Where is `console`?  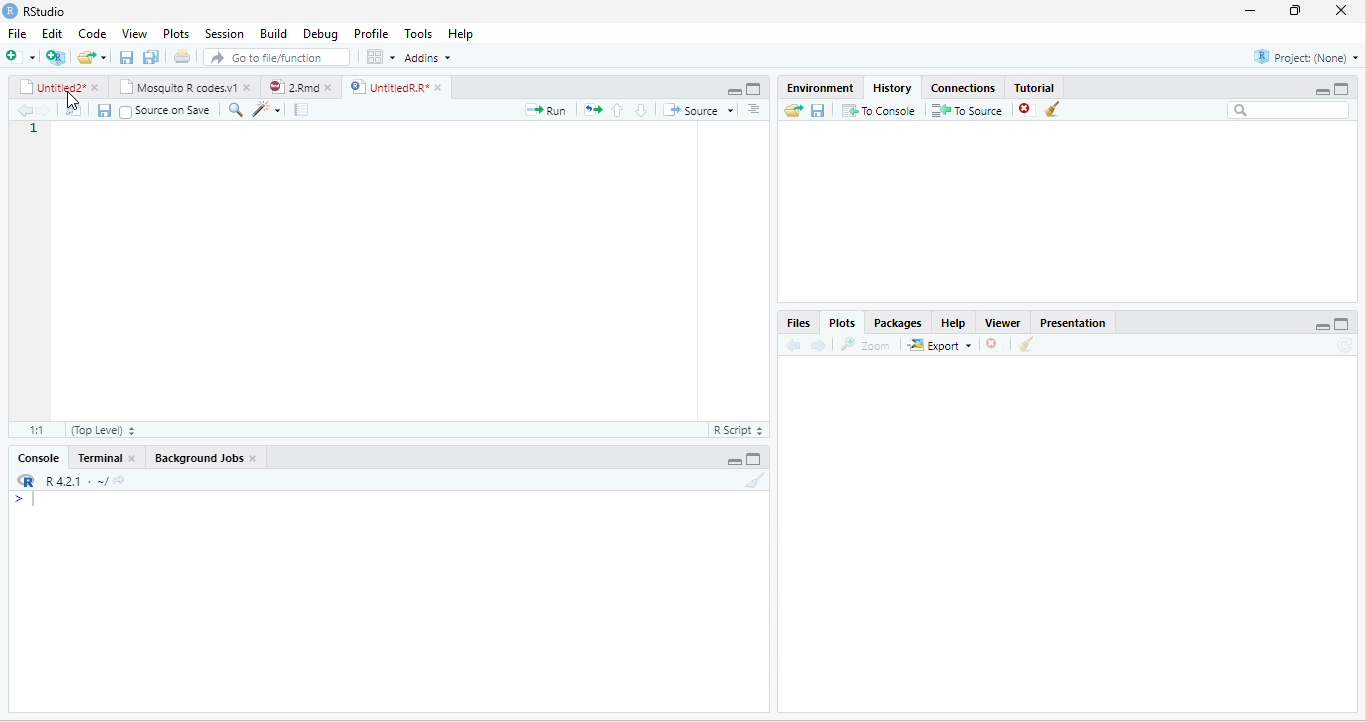
console is located at coordinates (33, 458).